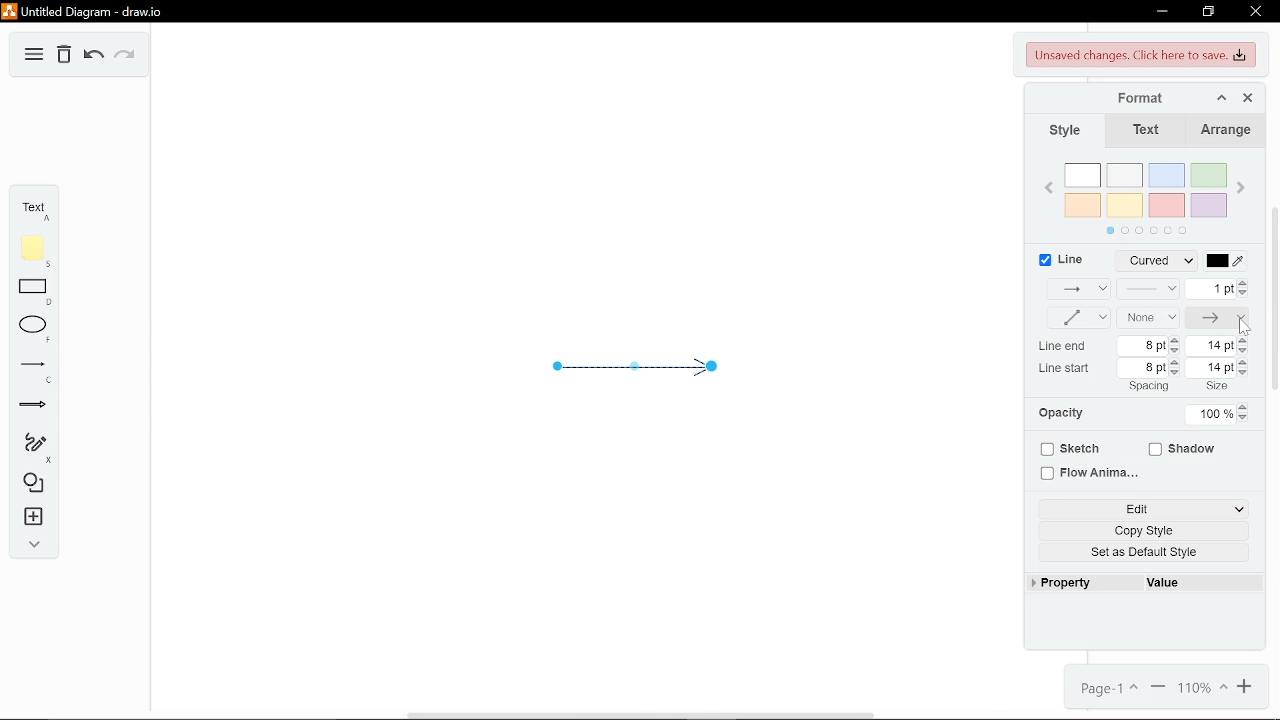 The width and height of the screenshot is (1280, 720). What do you see at coordinates (33, 373) in the screenshot?
I see `Line` at bounding box center [33, 373].